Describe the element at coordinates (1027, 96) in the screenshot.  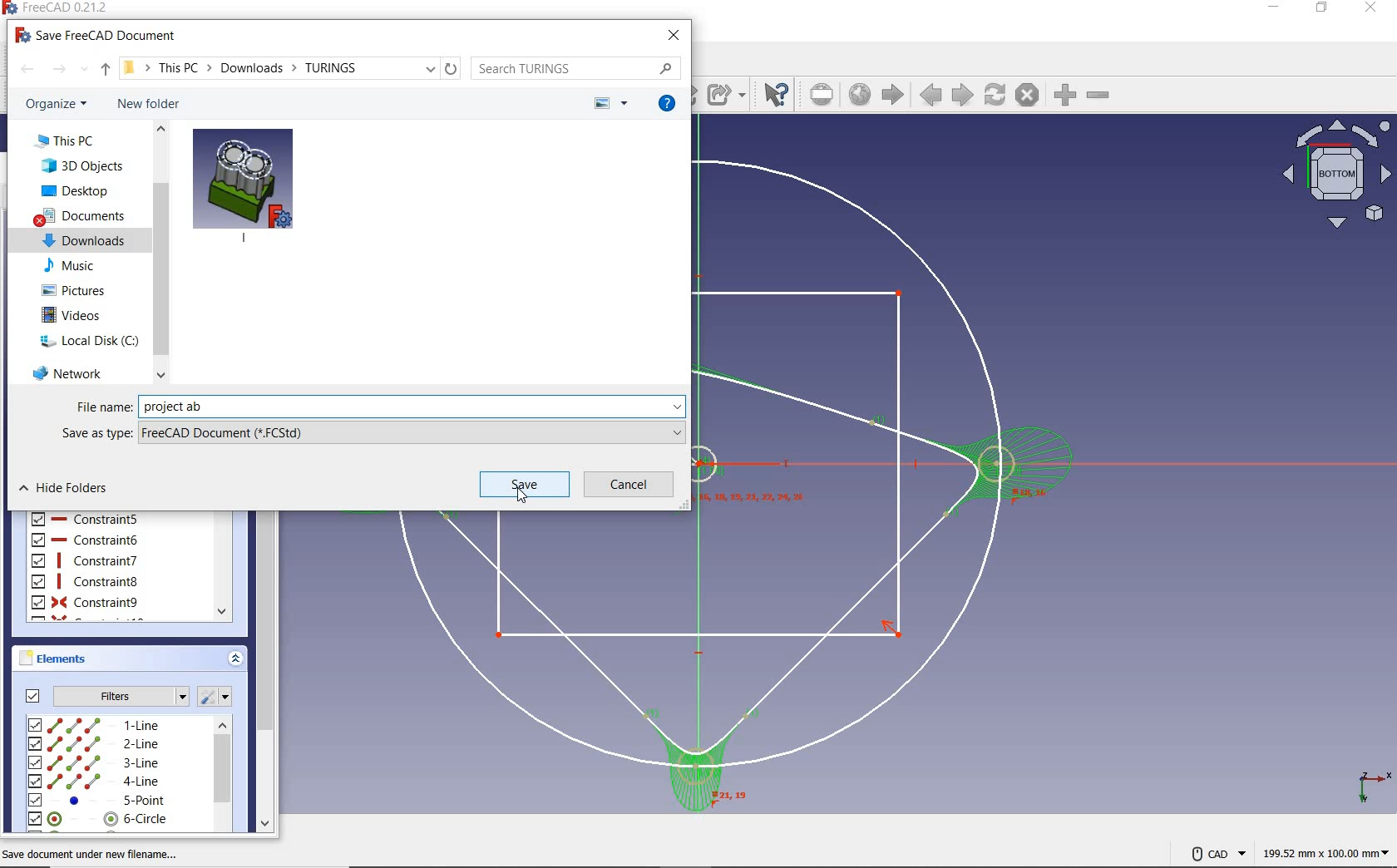
I see `stop loading` at that location.